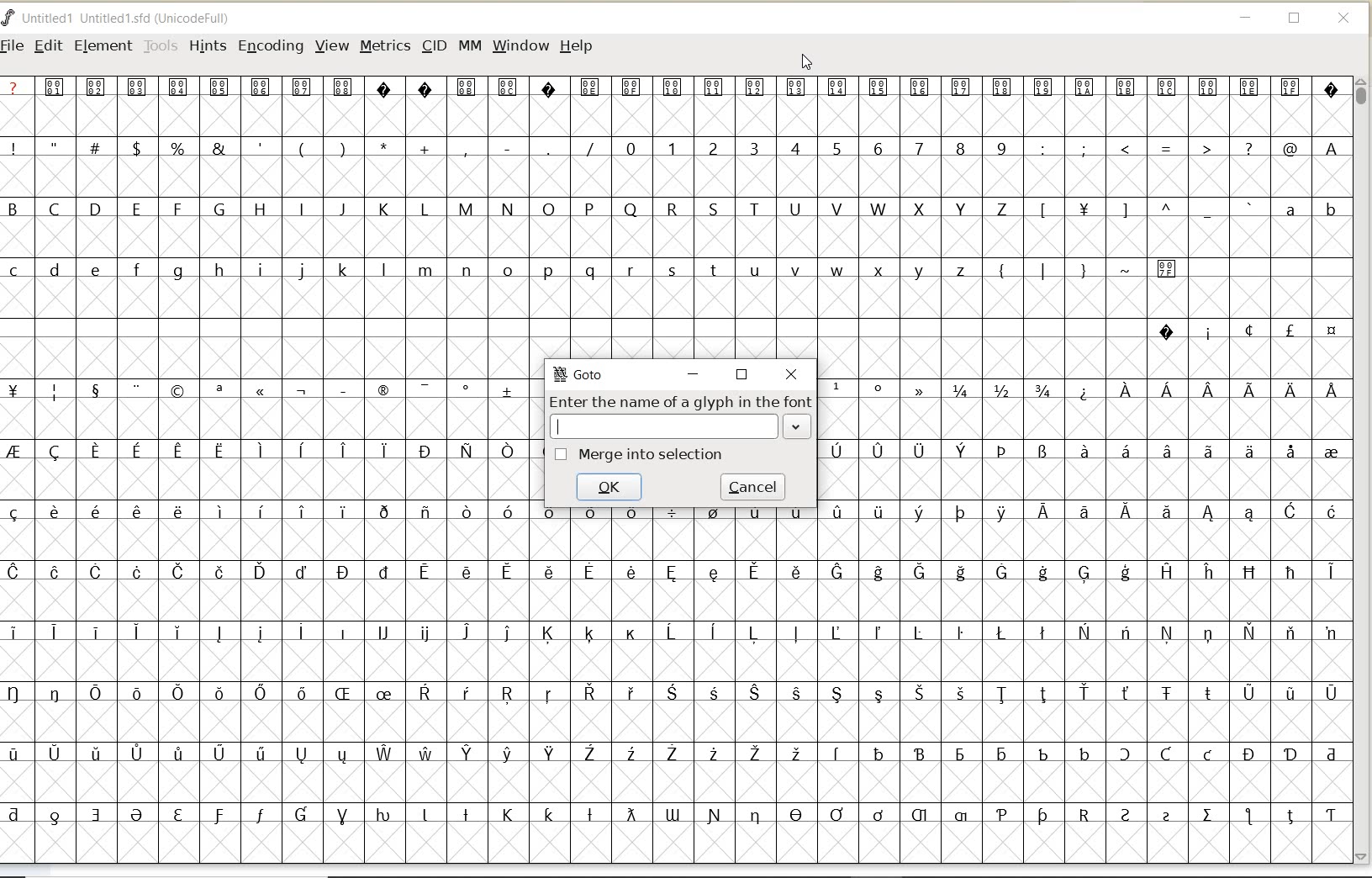  What do you see at coordinates (48, 47) in the screenshot?
I see `EDIT` at bounding box center [48, 47].